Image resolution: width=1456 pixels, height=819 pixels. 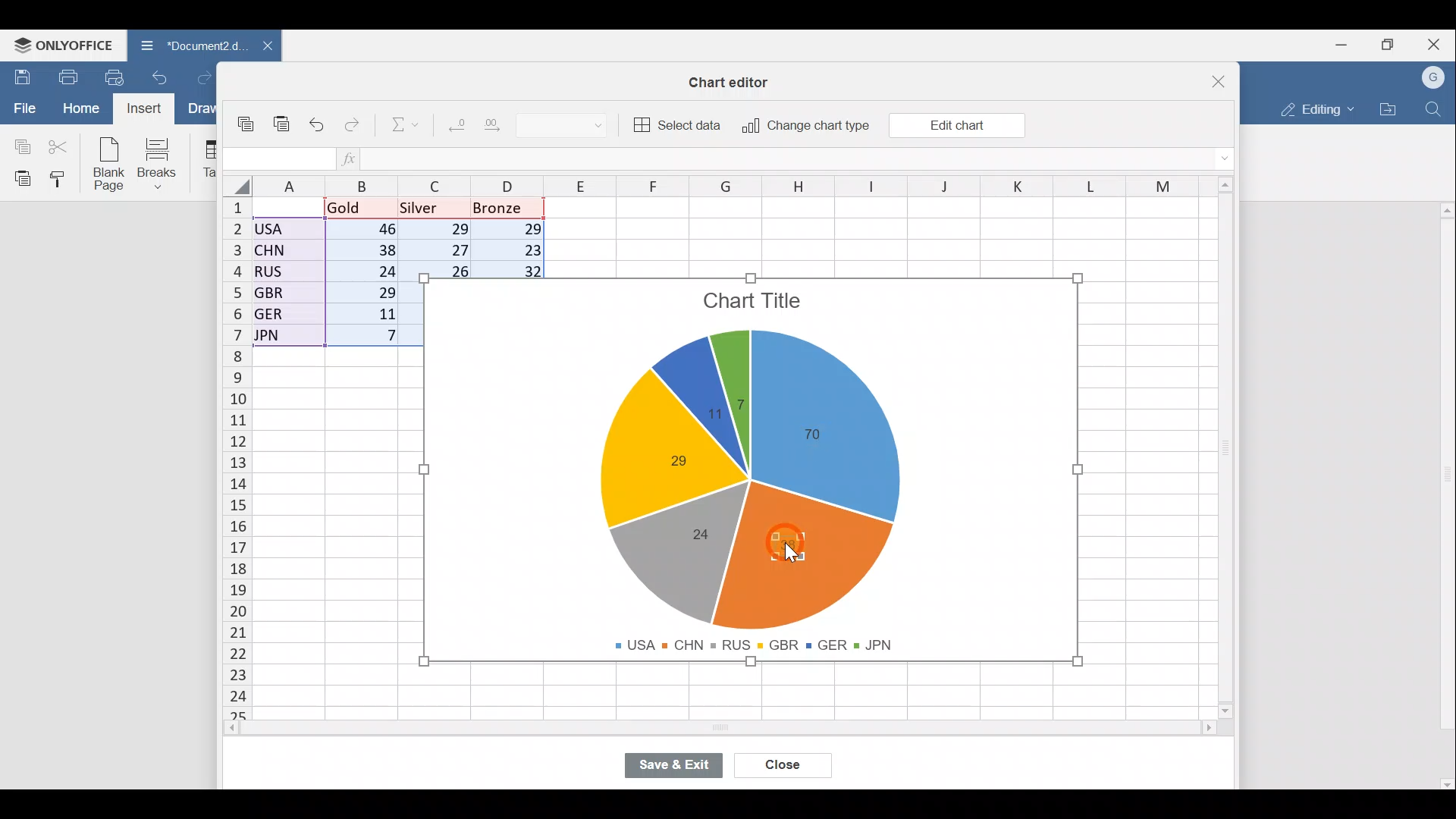 I want to click on Copy, so click(x=19, y=144).